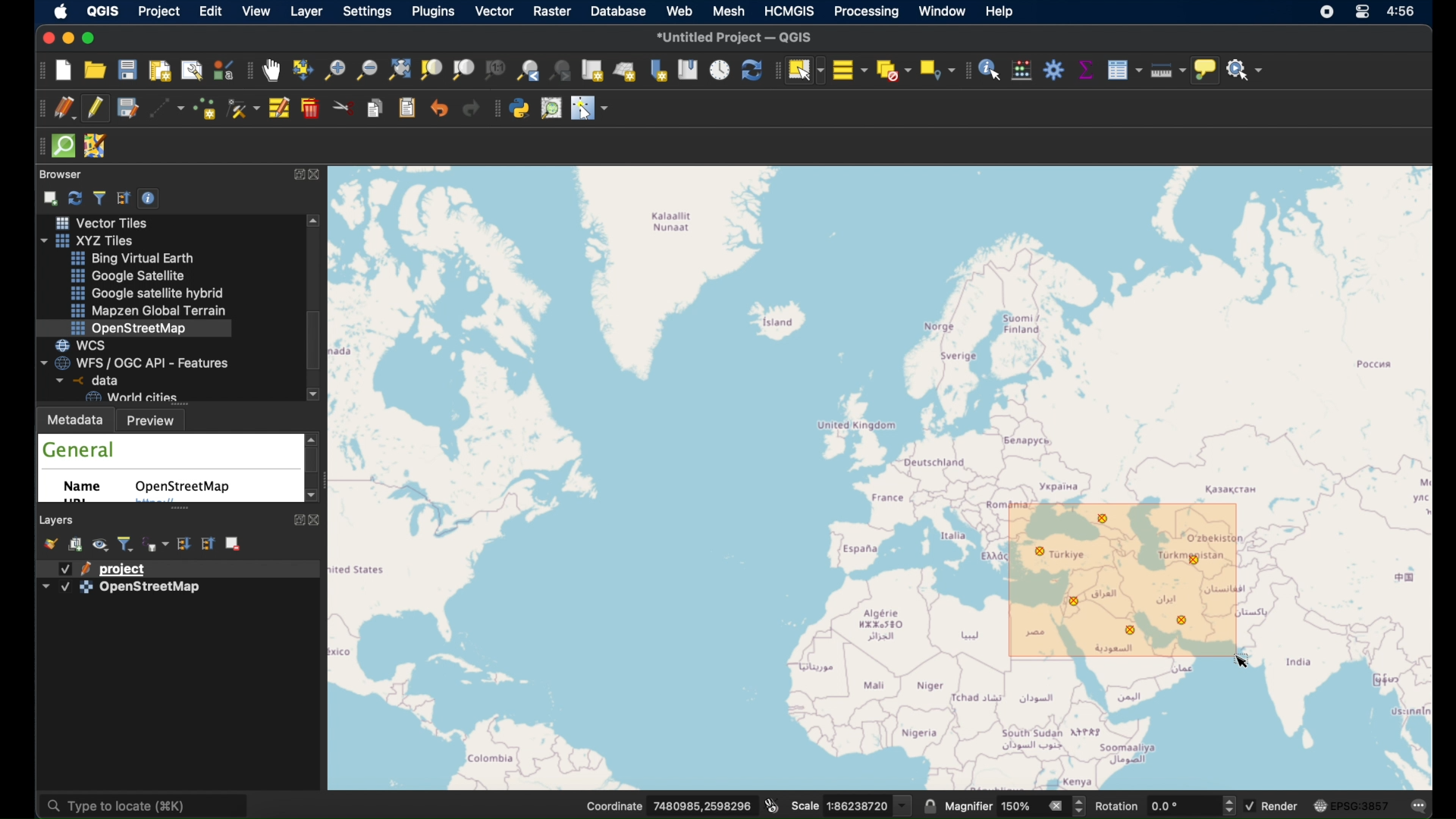 The image size is (1456, 819). Describe the element at coordinates (805, 69) in the screenshot. I see `select feature by area or single click` at that location.